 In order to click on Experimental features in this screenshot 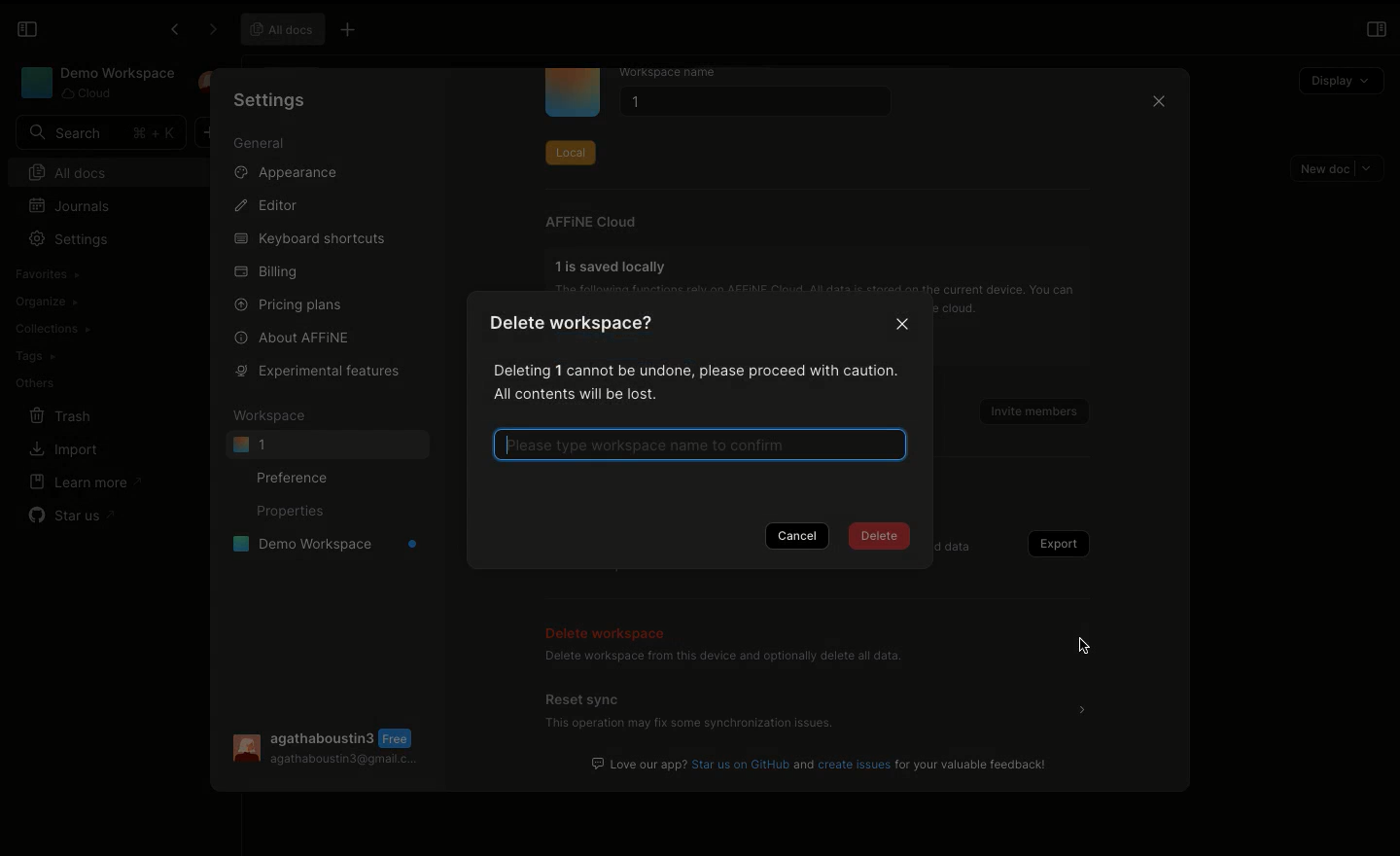, I will do `click(313, 370)`.